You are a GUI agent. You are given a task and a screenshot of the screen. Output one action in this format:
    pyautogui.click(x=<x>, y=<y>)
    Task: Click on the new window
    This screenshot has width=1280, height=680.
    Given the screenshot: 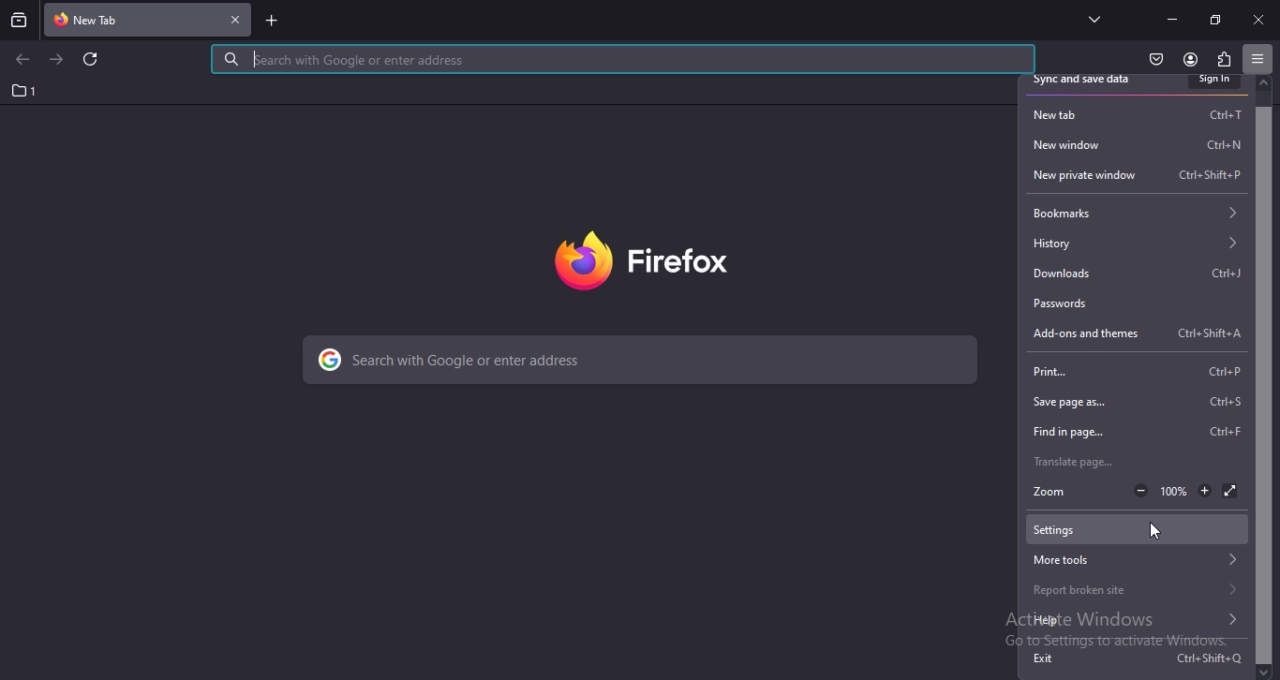 What is the action you would take?
    pyautogui.click(x=1142, y=143)
    